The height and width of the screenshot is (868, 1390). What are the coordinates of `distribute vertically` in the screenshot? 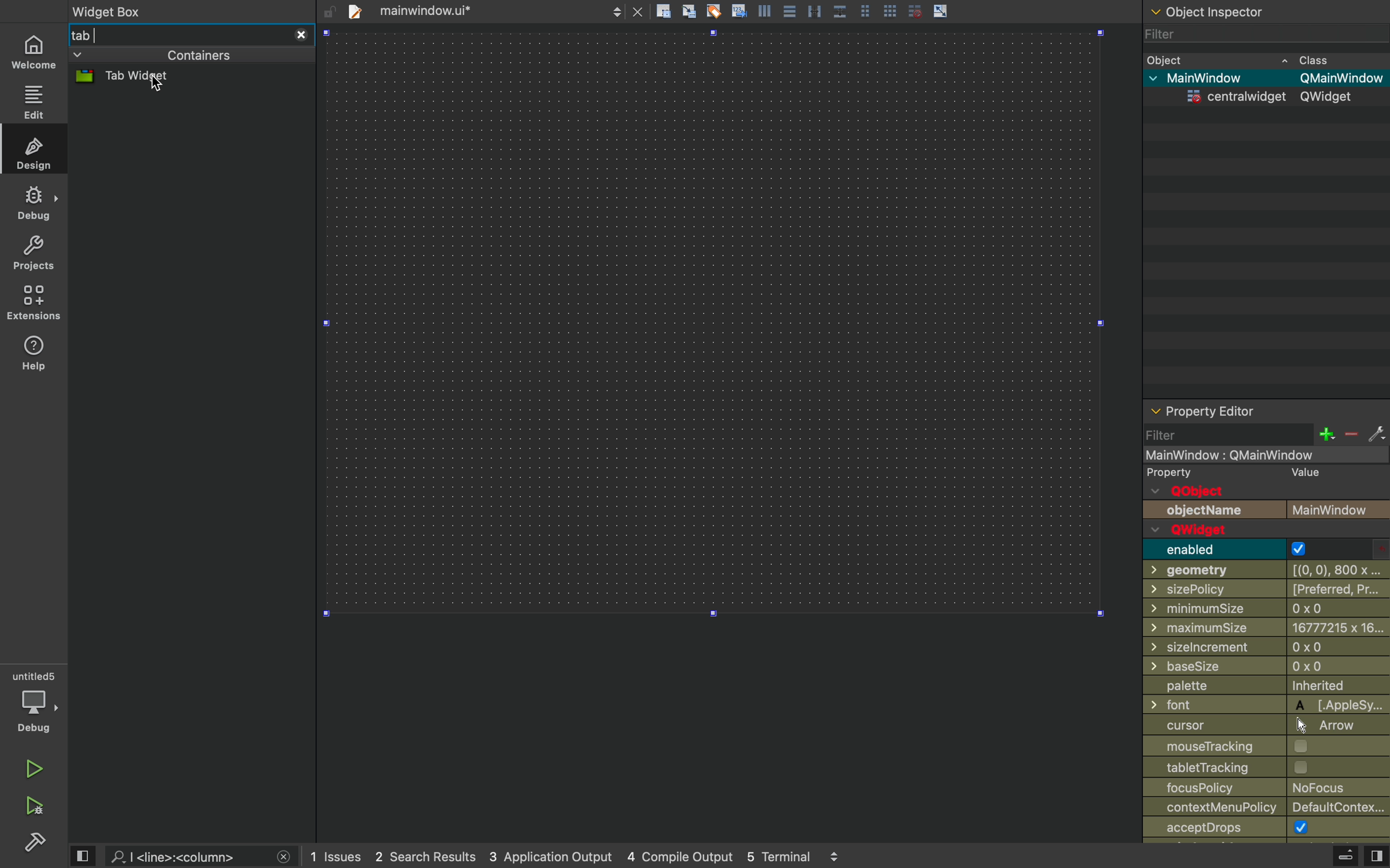 It's located at (841, 11).